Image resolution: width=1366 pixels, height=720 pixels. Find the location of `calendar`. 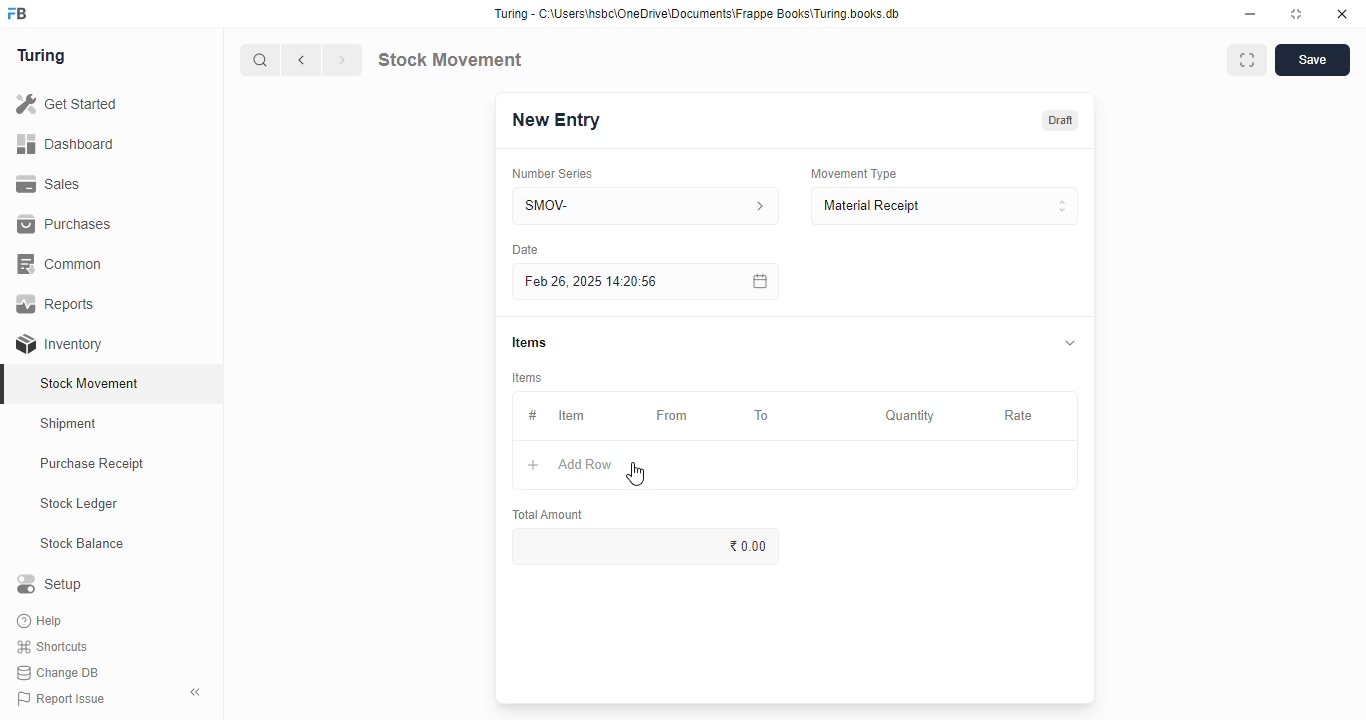

calendar is located at coordinates (758, 281).